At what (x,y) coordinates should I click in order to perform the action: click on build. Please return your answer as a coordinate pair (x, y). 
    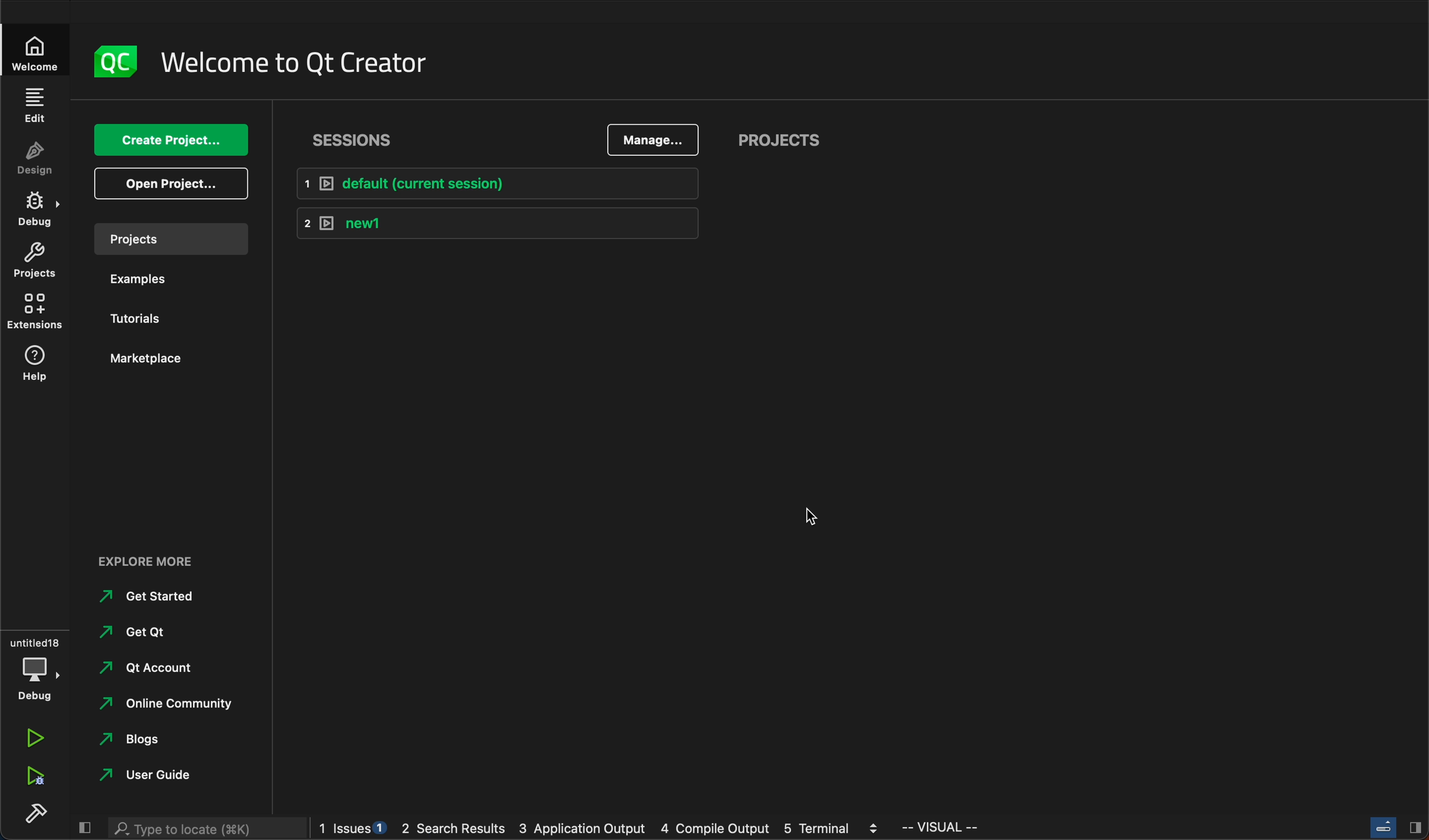
    Looking at the image, I should click on (32, 816).